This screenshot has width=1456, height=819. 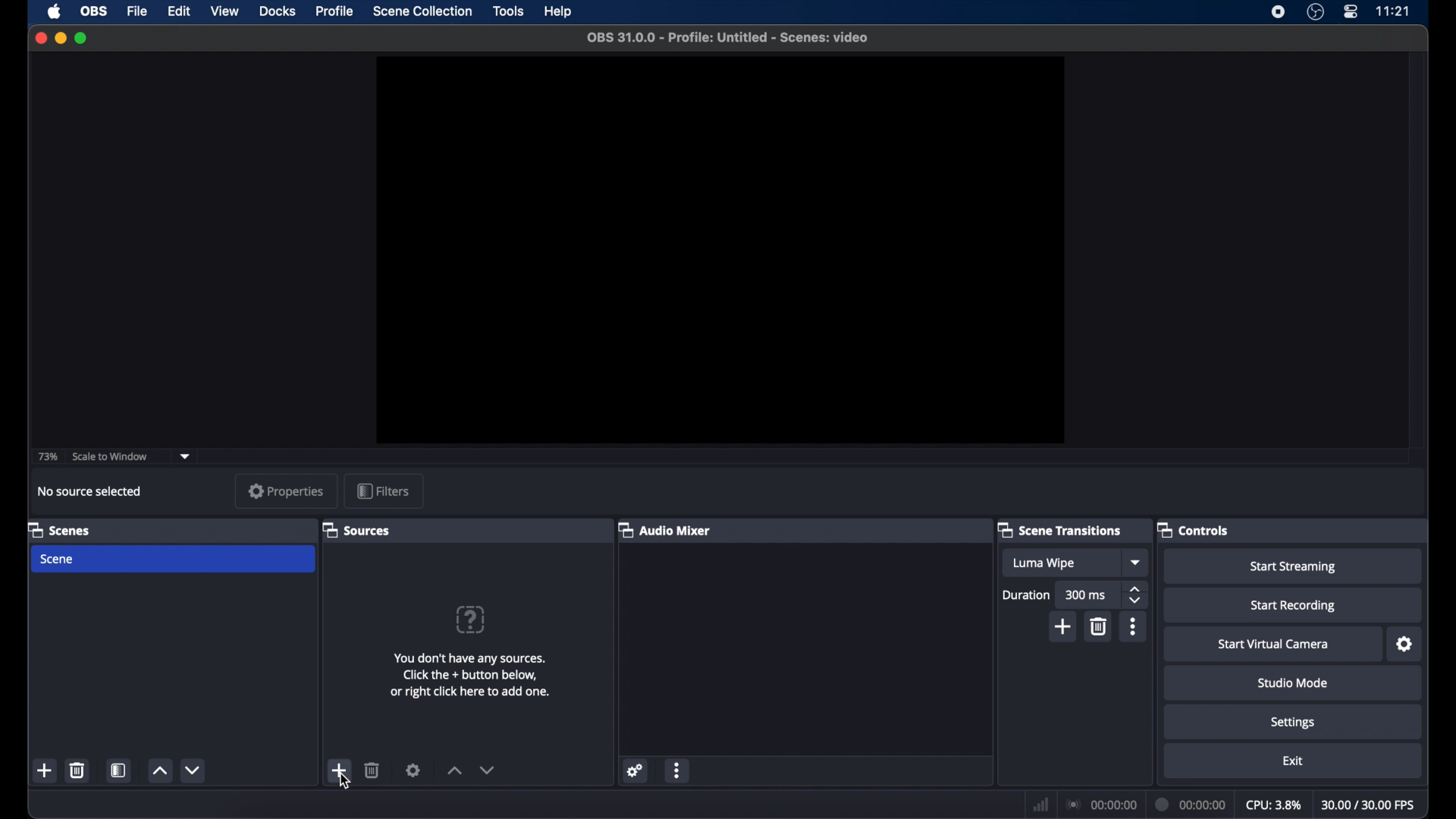 What do you see at coordinates (193, 770) in the screenshot?
I see `decrement` at bounding box center [193, 770].